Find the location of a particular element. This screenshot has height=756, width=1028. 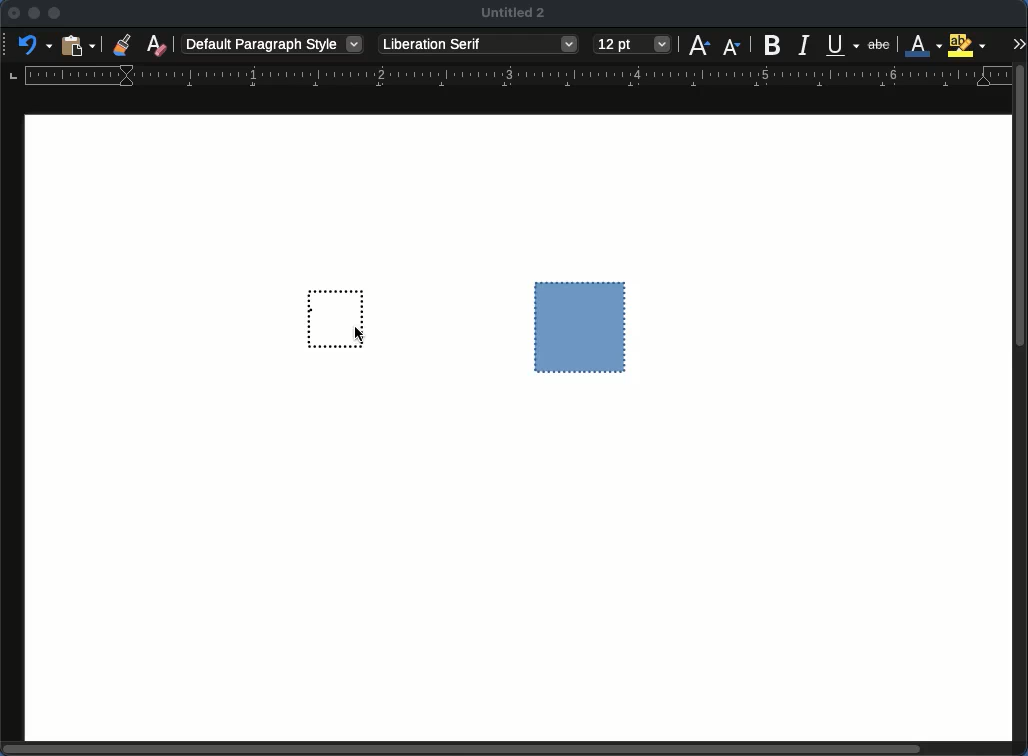

maximize is located at coordinates (55, 13).